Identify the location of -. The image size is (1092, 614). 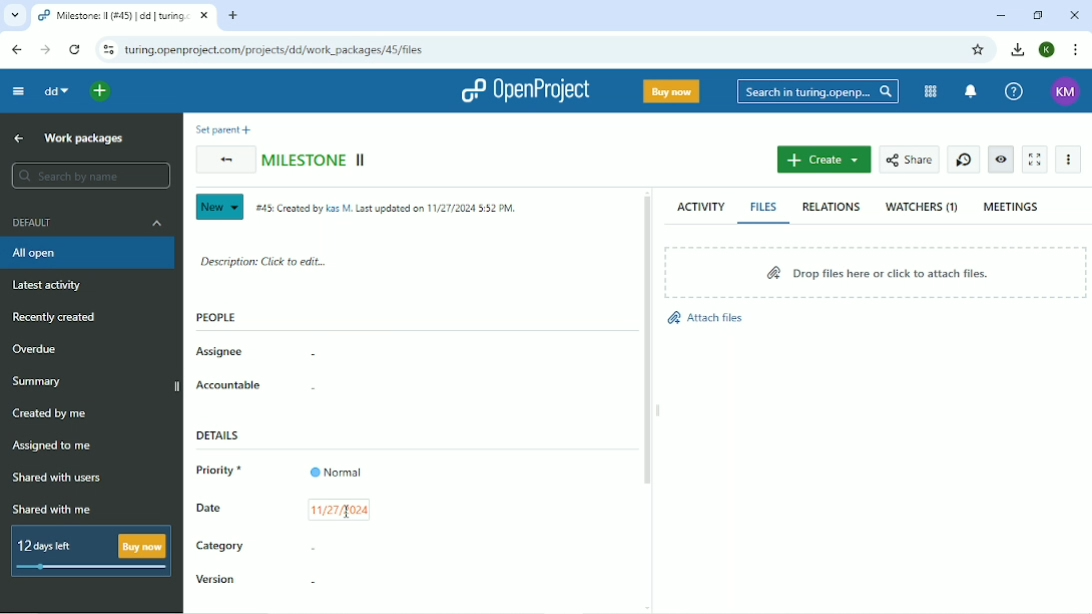
(306, 356).